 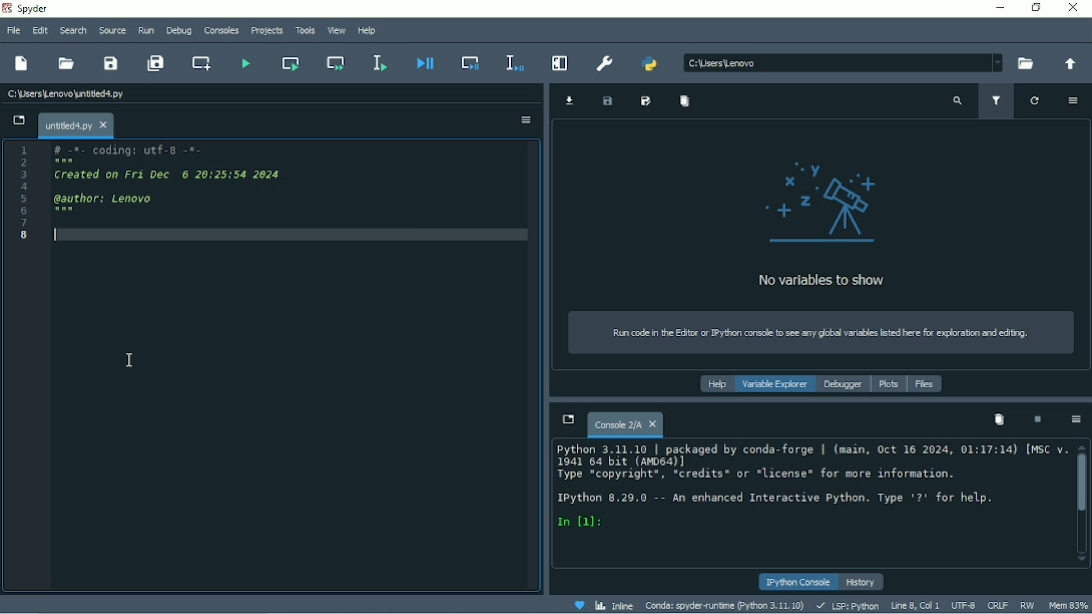 What do you see at coordinates (1083, 445) in the screenshot?
I see `scroll up` at bounding box center [1083, 445].